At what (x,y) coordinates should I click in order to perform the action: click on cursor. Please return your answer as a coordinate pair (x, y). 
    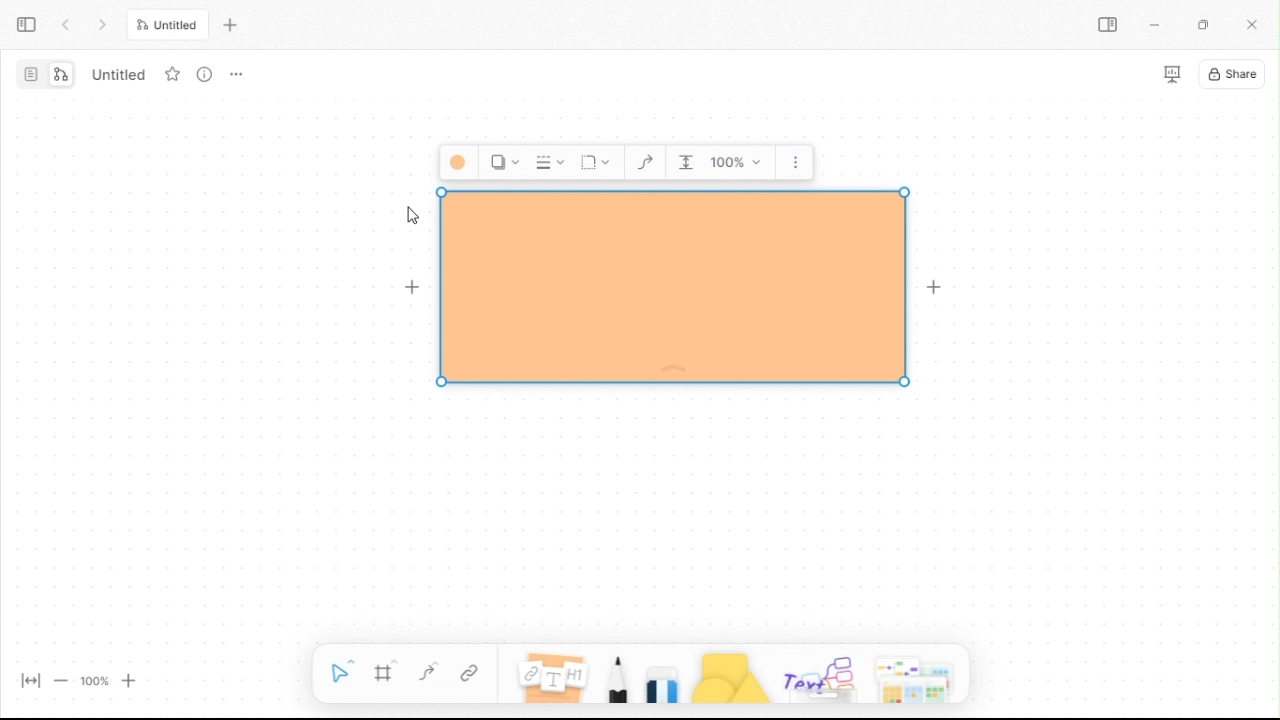
    Looking at the image, I should click on (410, 219).